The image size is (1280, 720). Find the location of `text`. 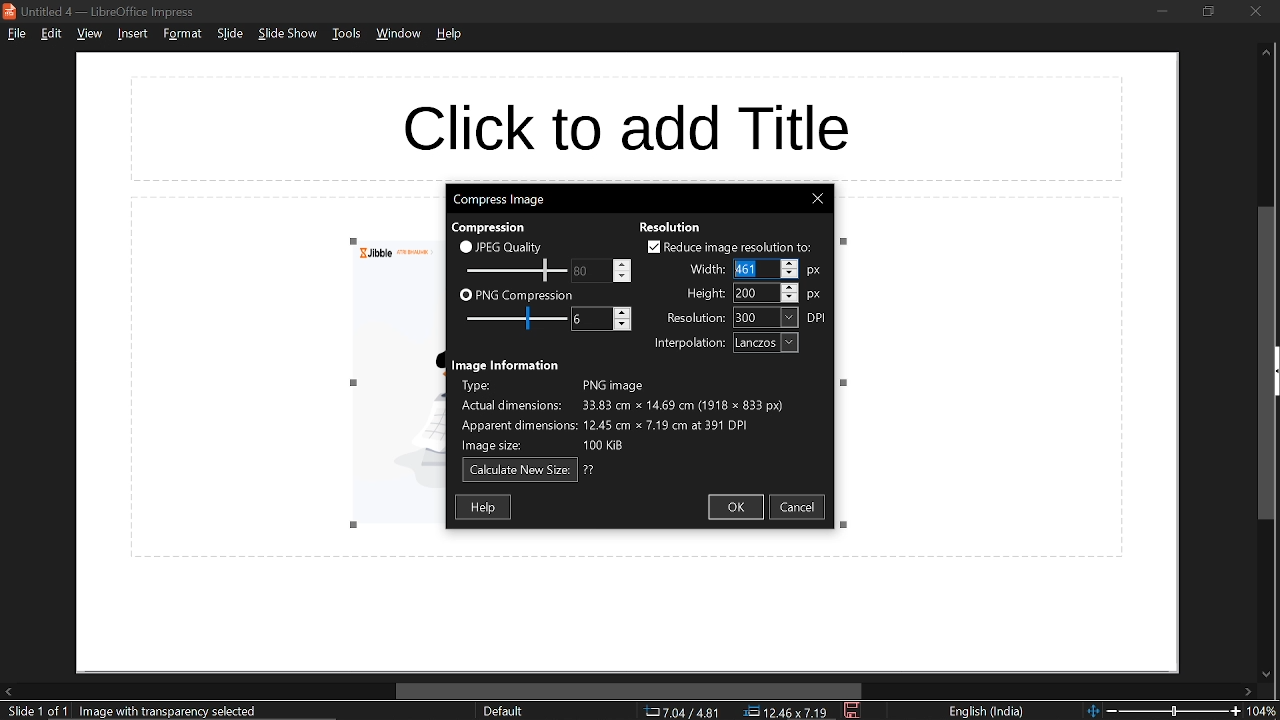

text is located at coordinates (590, 470).